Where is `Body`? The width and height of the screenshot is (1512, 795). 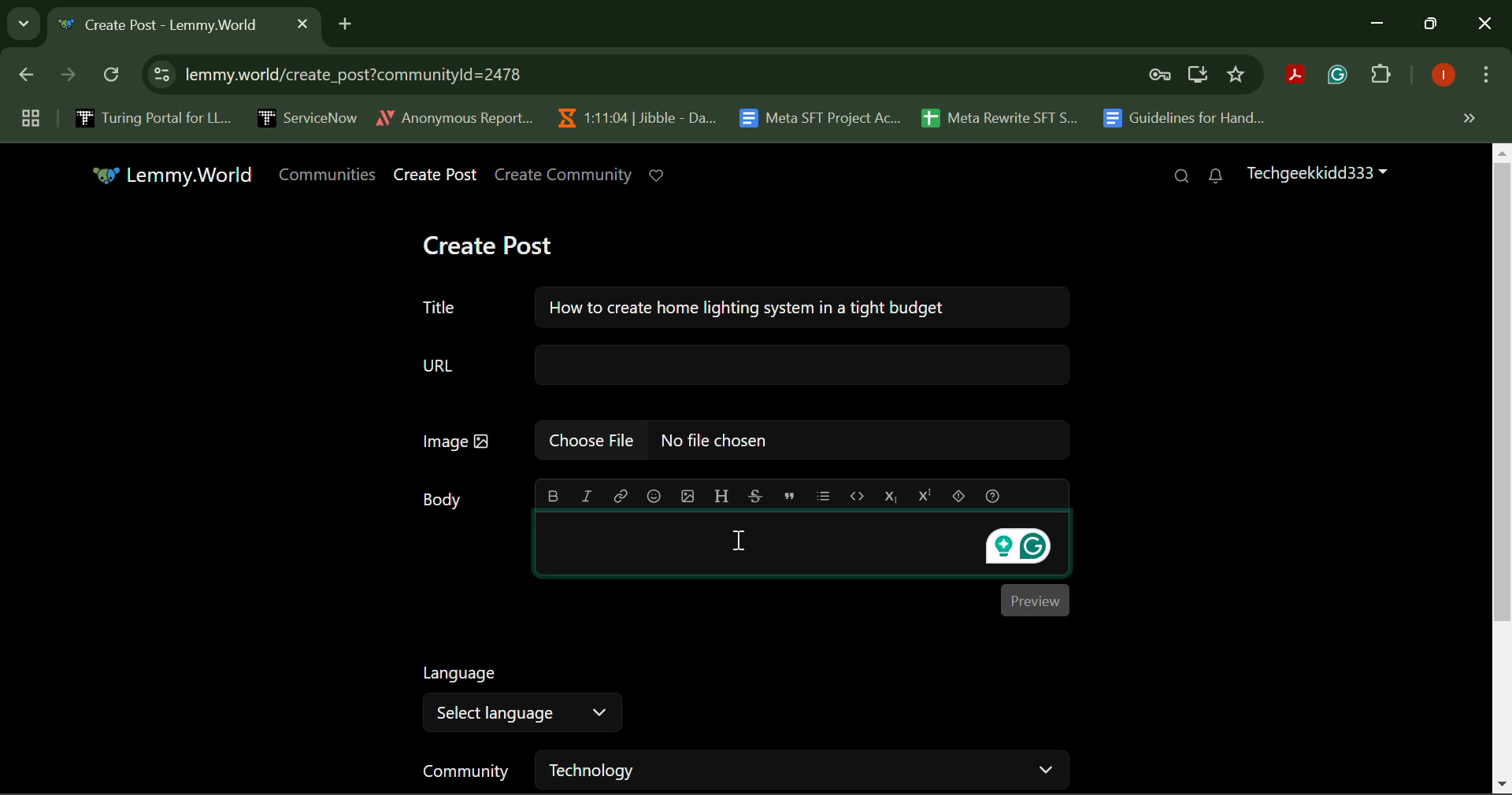
Body is located at coordinates (443, 501).